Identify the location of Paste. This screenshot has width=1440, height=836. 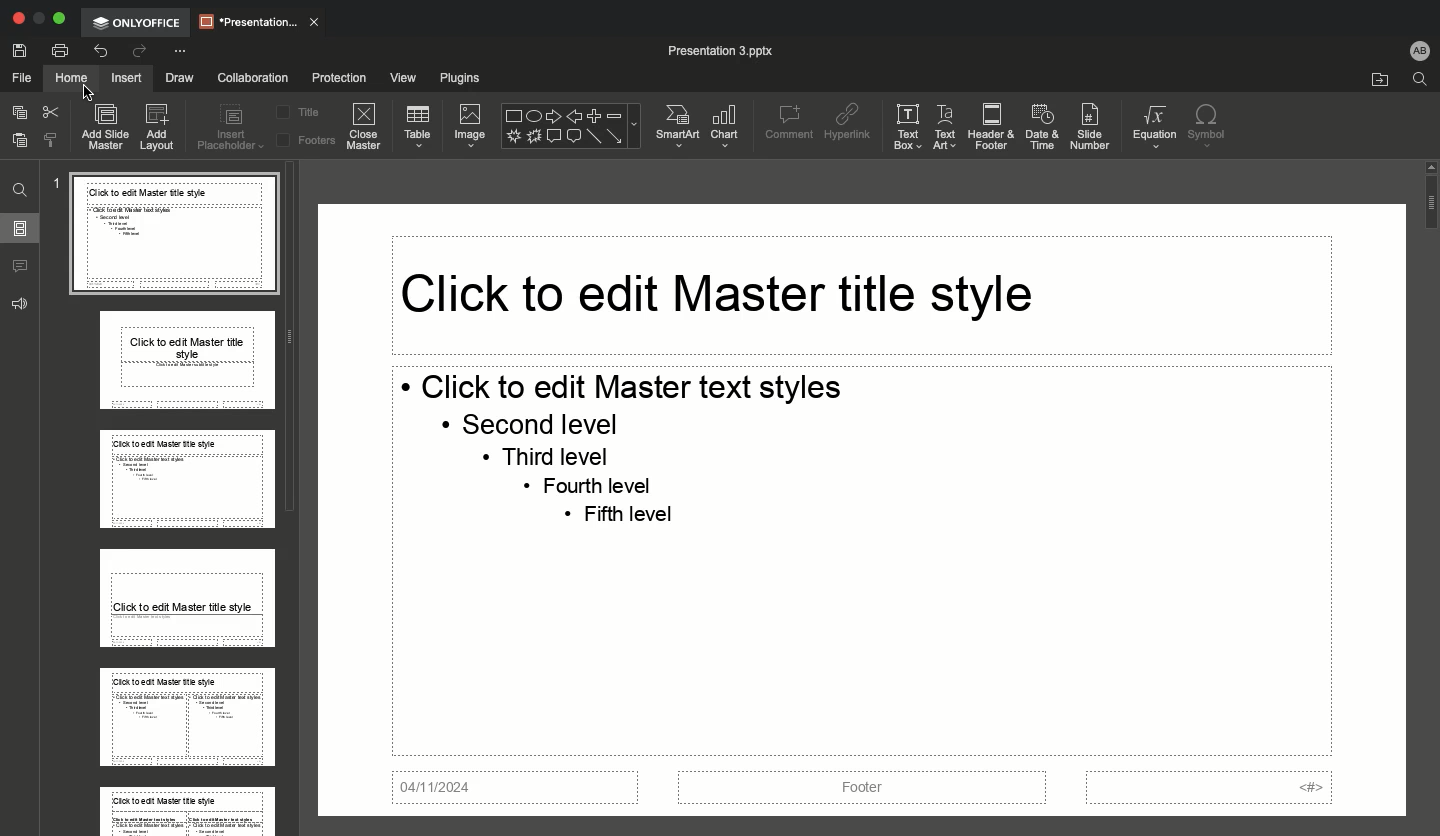
(21, 142).